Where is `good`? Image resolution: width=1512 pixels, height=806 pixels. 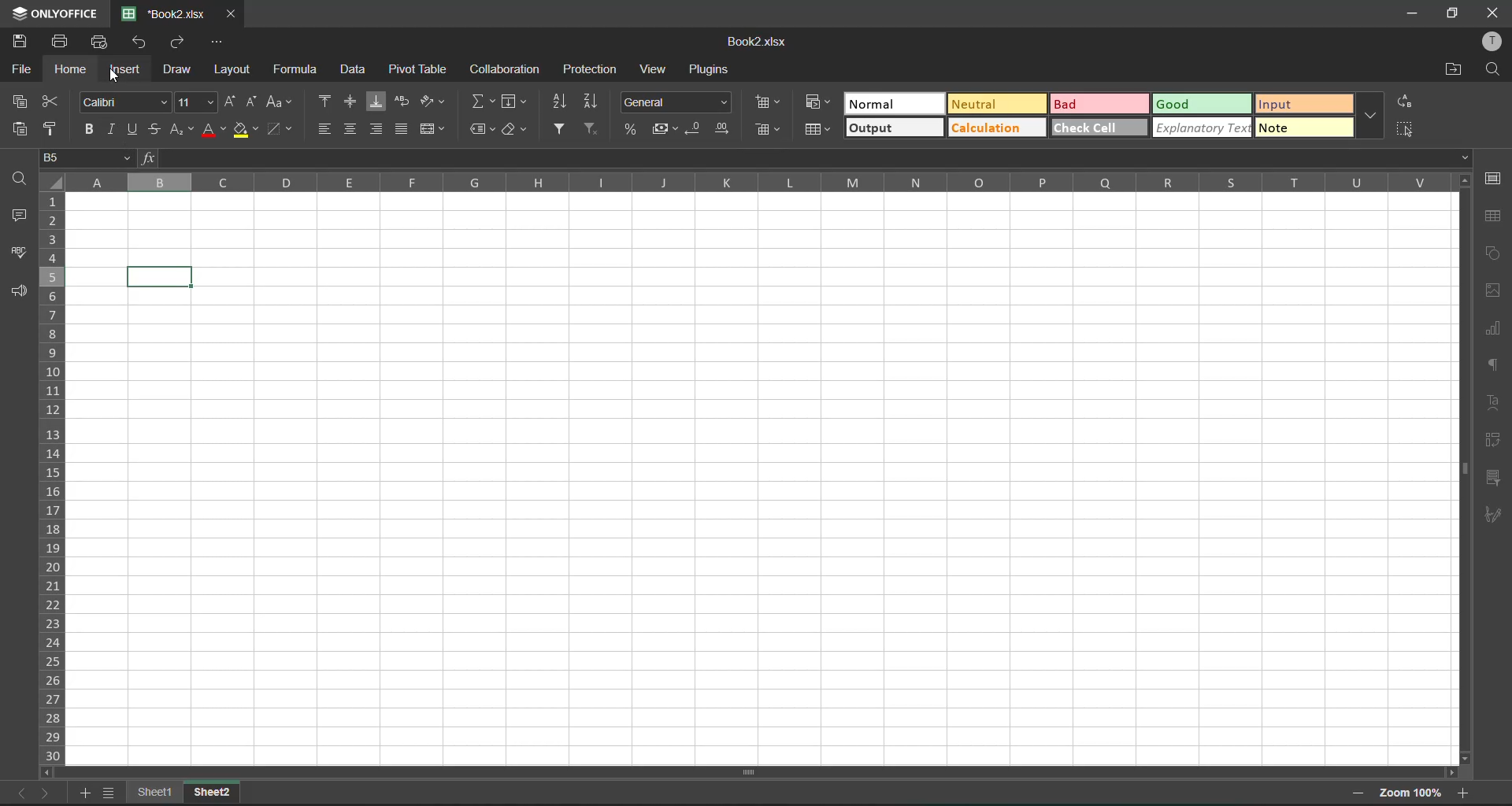 good is located at coordinates (1201, 102).